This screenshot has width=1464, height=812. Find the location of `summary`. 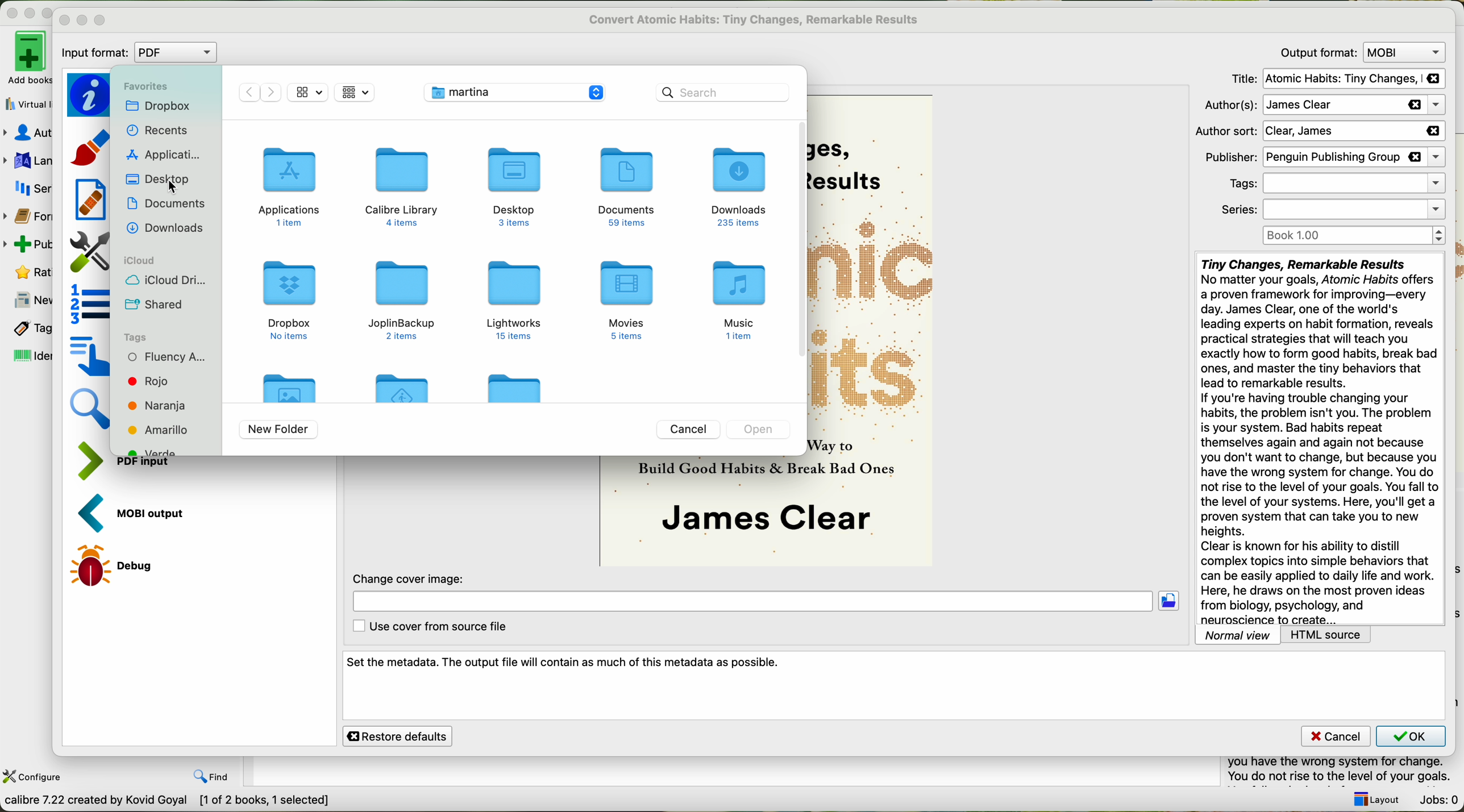

summary is located at coordinates (1345, 771).